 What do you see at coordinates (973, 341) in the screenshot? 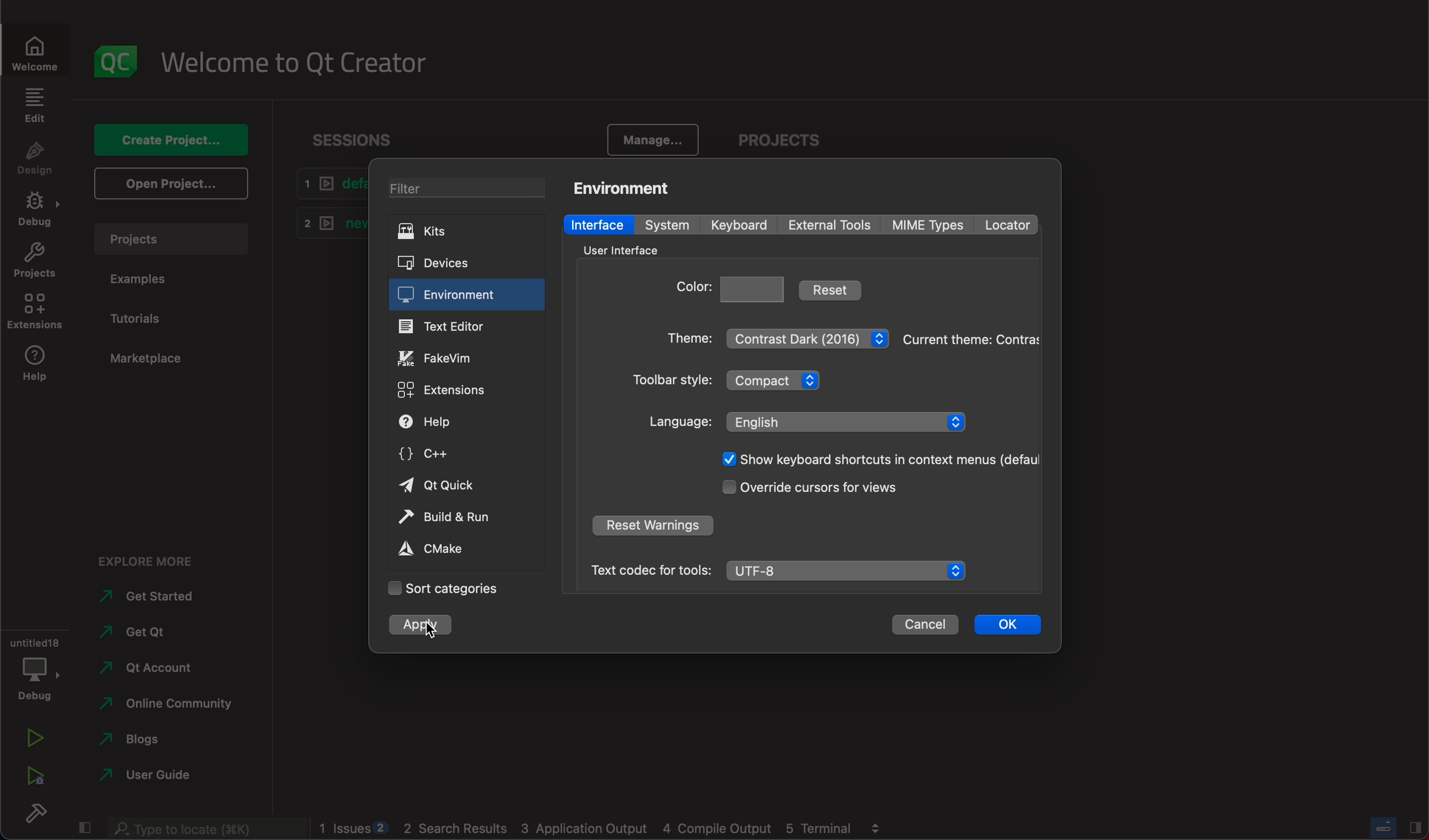
I see `current theme` at bounding box center [973, 341].